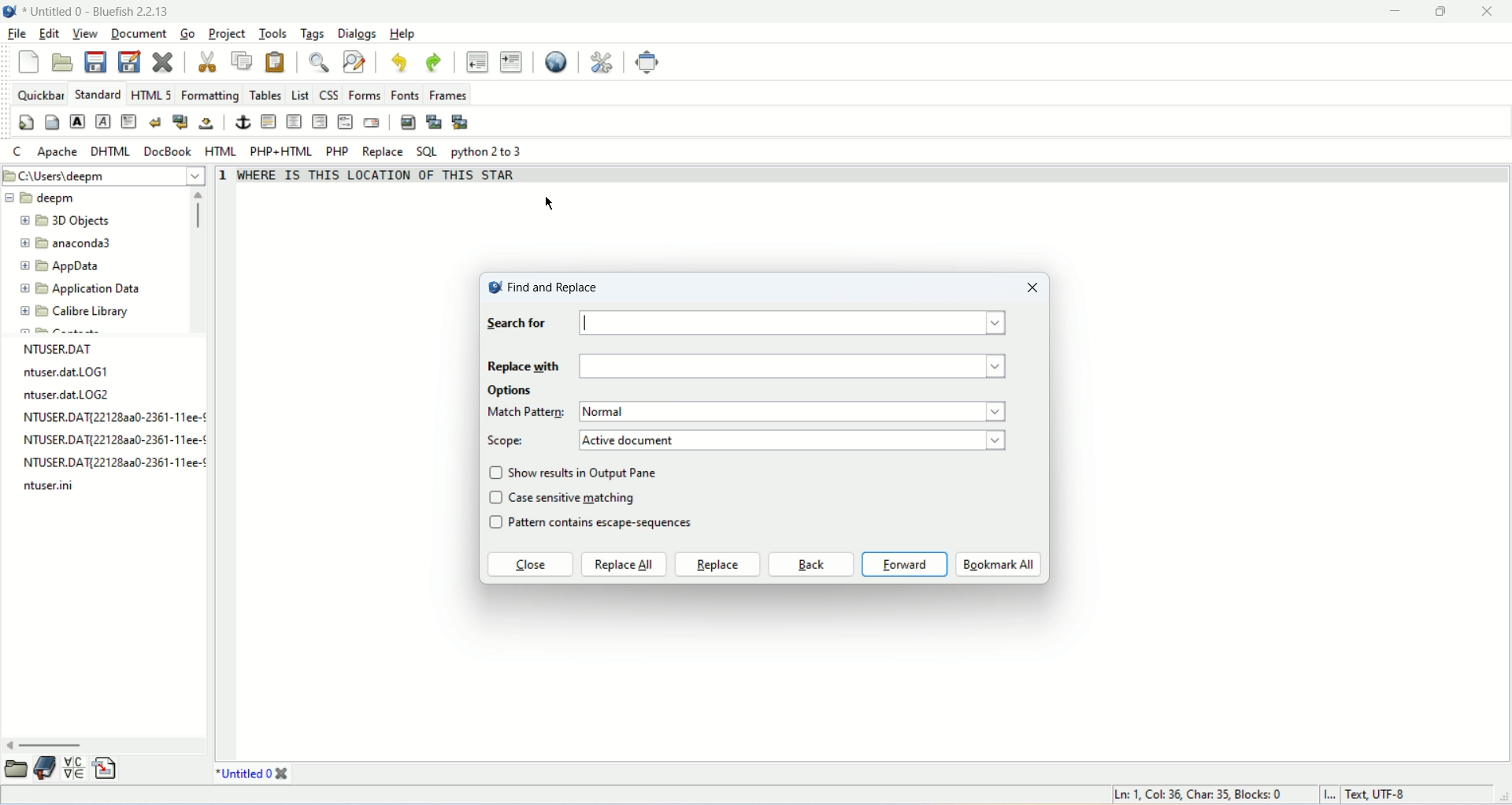  Describe the element at coordinates (317, 63) in the screenshot. I see `find` at that location.